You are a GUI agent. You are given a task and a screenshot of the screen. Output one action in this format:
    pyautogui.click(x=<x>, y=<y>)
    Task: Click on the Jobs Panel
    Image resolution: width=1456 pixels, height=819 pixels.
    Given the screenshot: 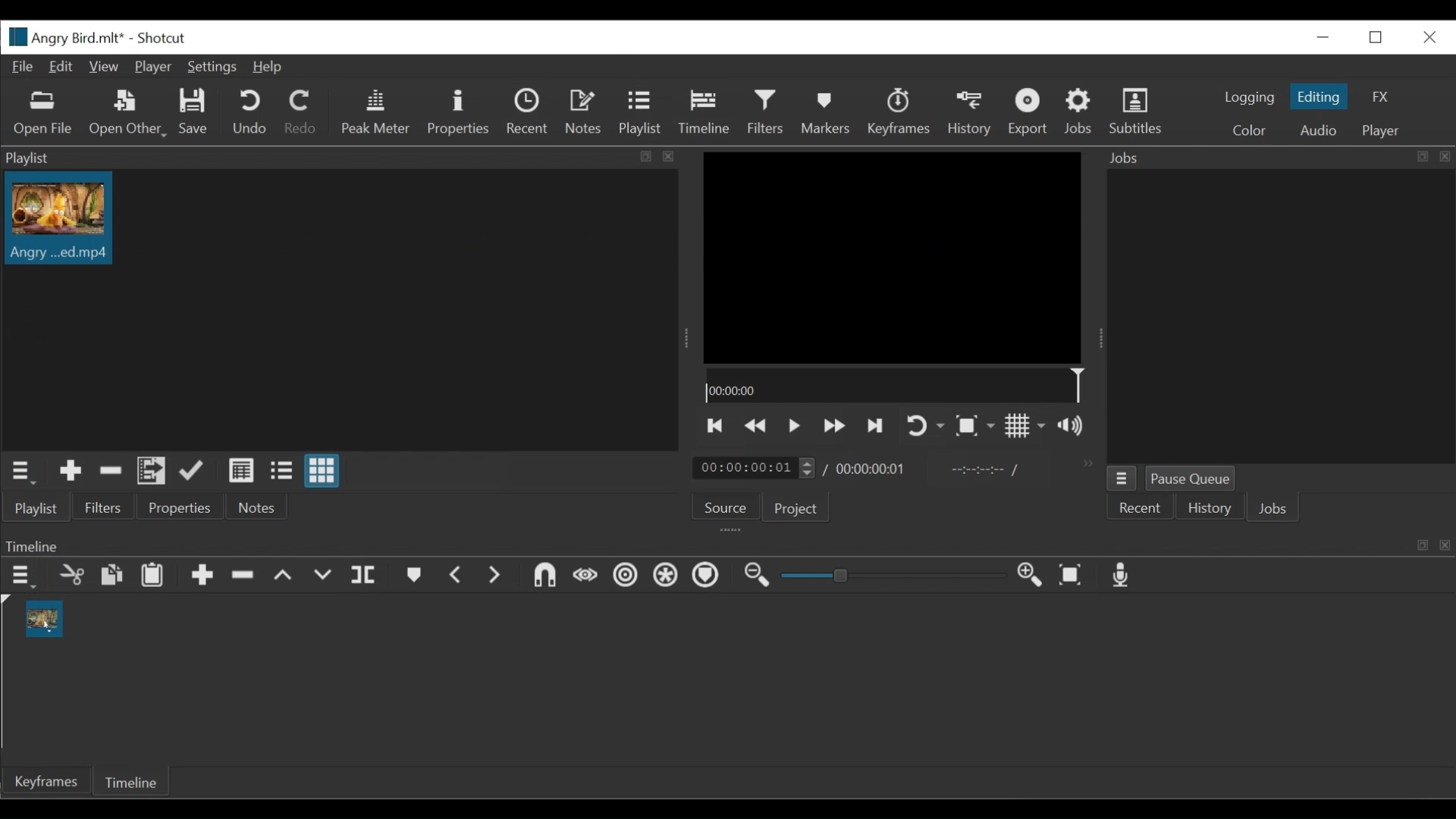 What is the action you would take?
    pyautogui.click(x=1279, y=316)
    